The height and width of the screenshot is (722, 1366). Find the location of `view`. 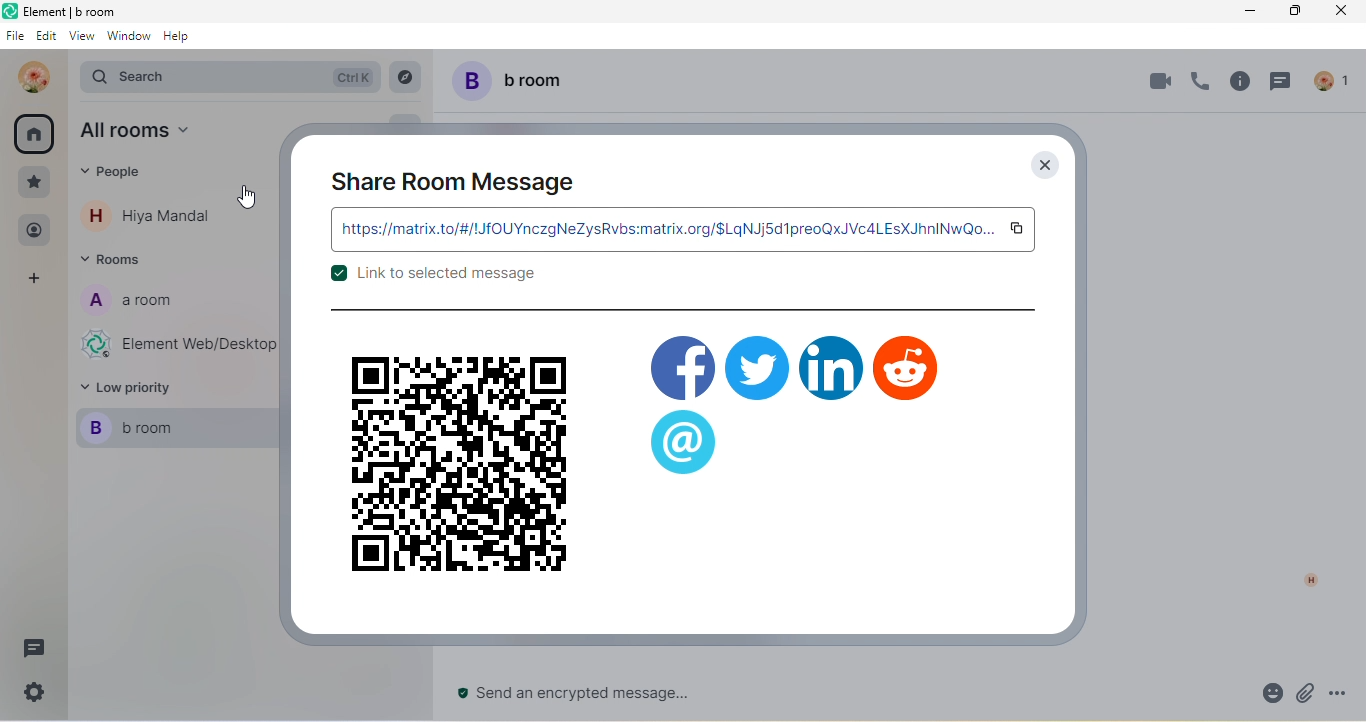

view is located at coordinates (81, 39).